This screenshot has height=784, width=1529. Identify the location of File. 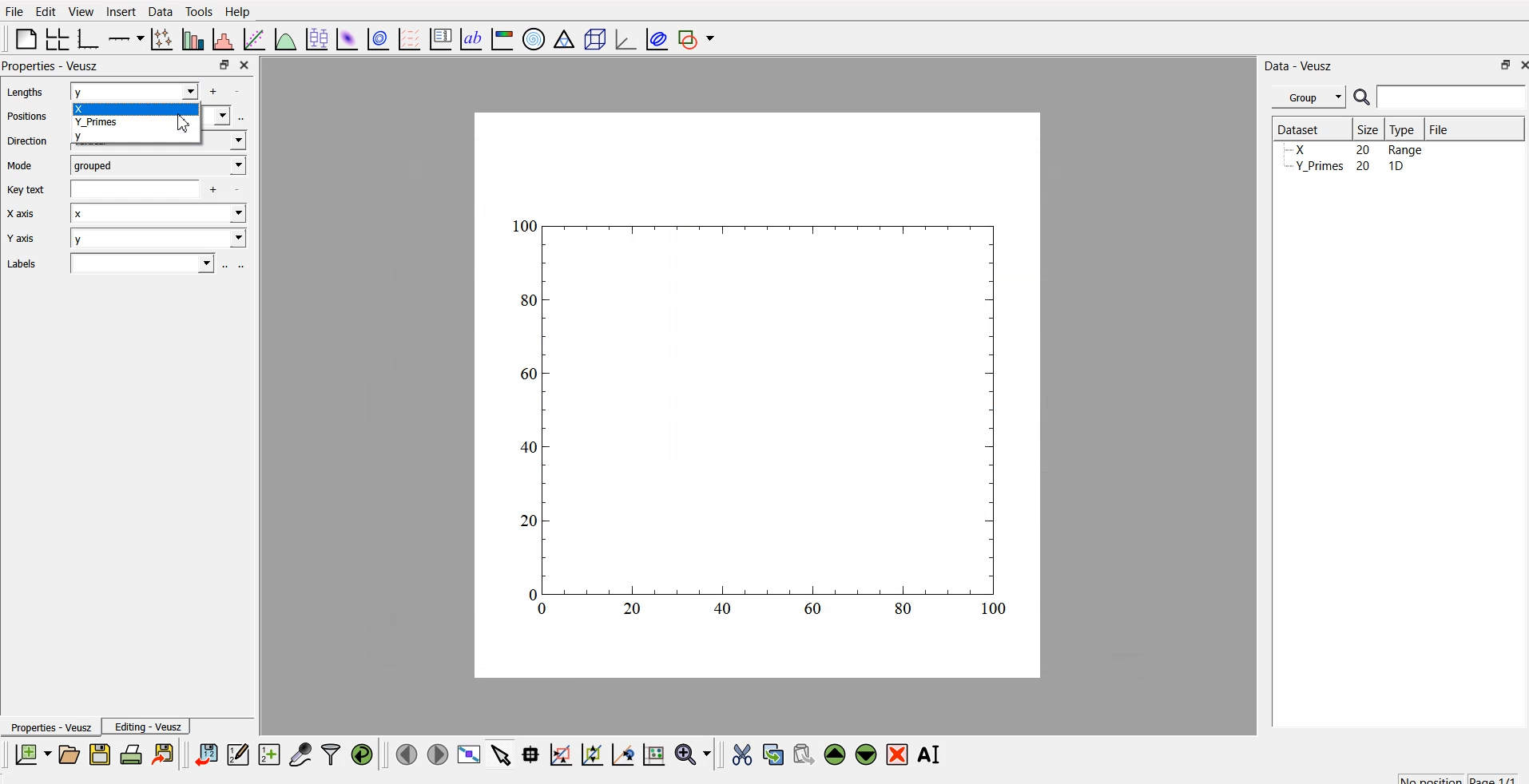
(1438, 127).